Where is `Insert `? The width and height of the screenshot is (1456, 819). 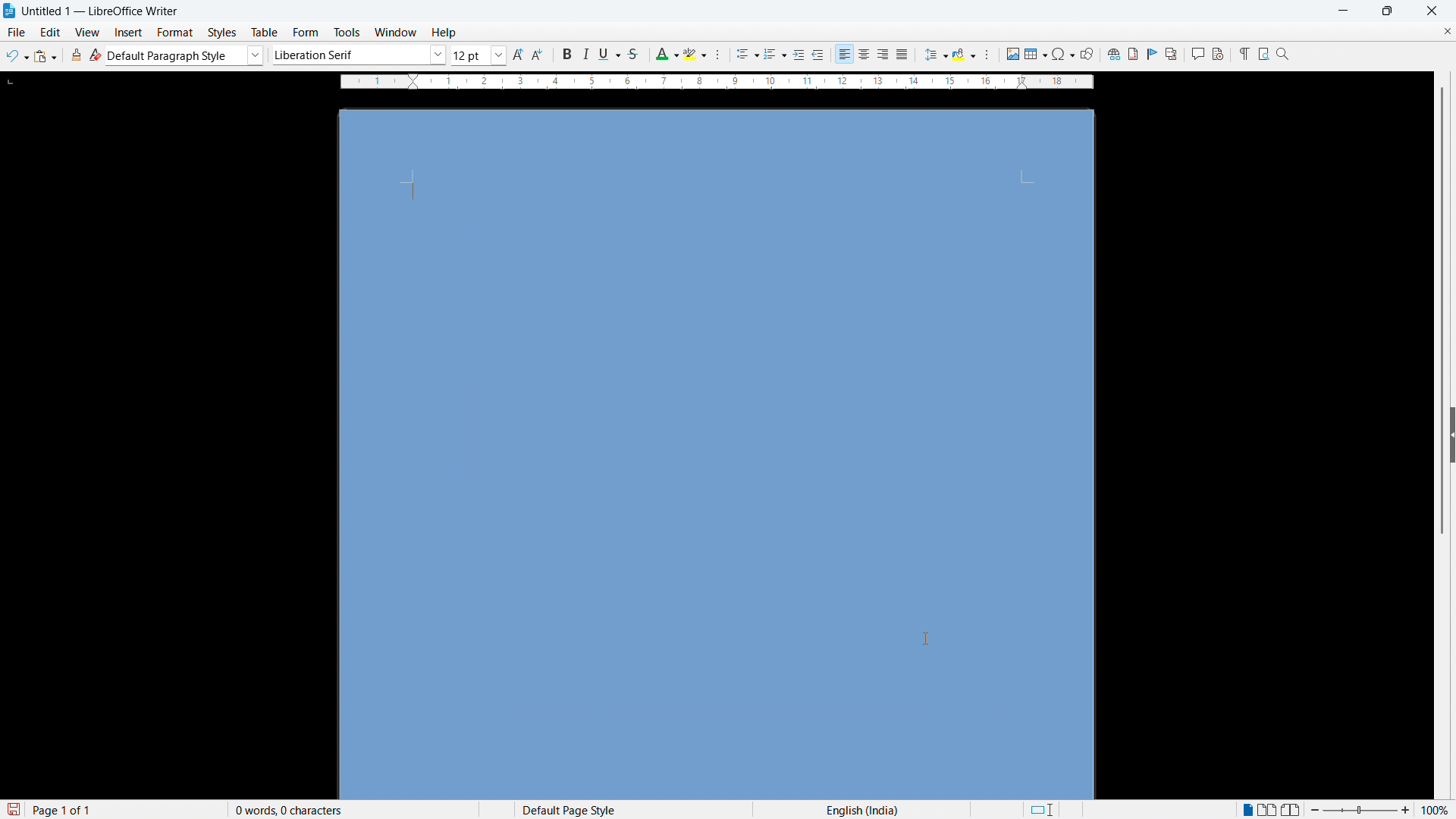
Insert  is located at coordinates (129, 33).